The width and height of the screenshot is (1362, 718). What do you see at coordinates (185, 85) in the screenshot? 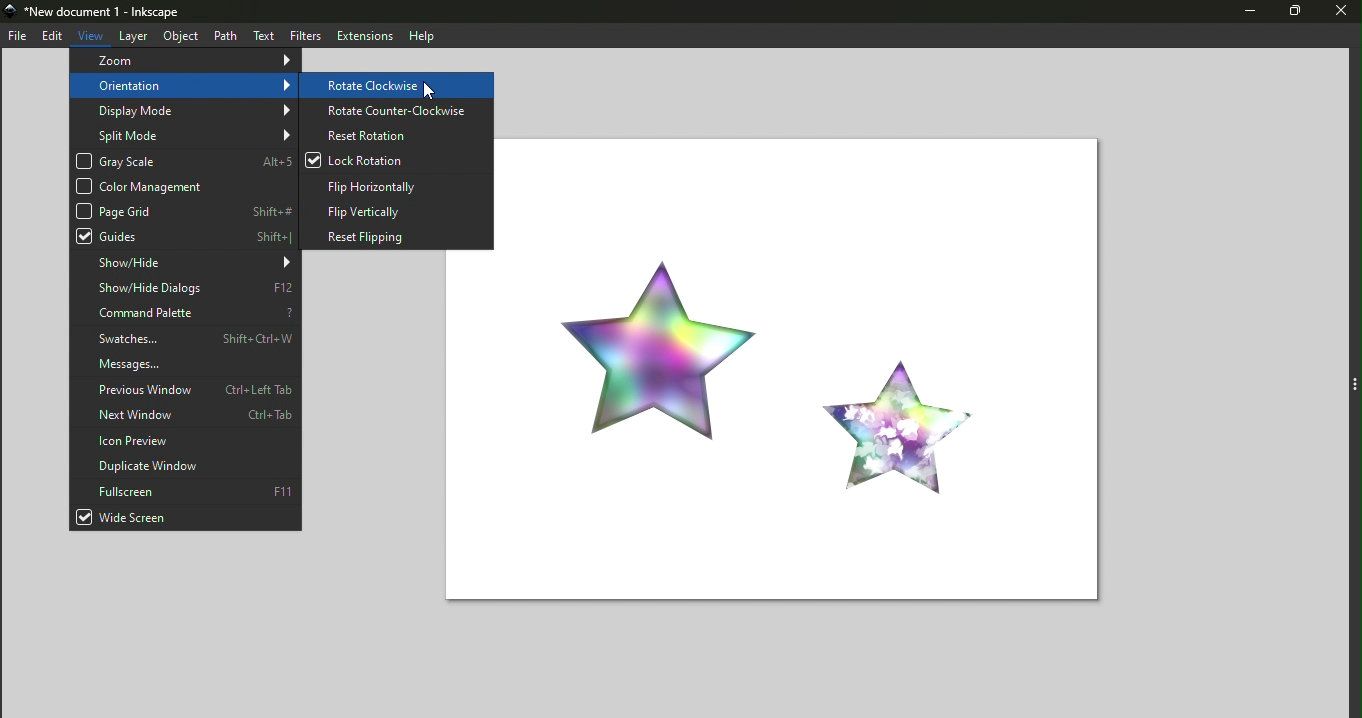
I see `Orientation` at bounding box center [185, 85].